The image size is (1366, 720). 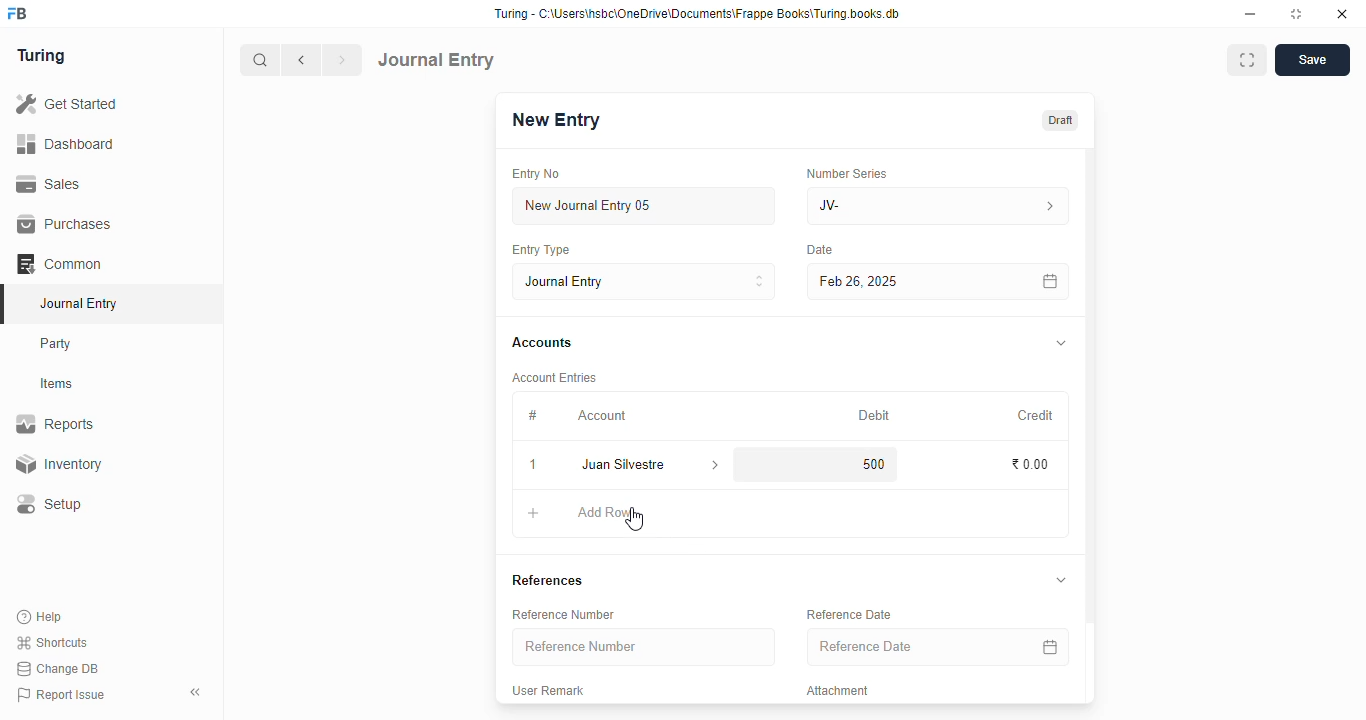 What do you see at coordinates (58, 669) in the screenshot?
I see `change DB` at bounding box center [58, 669].